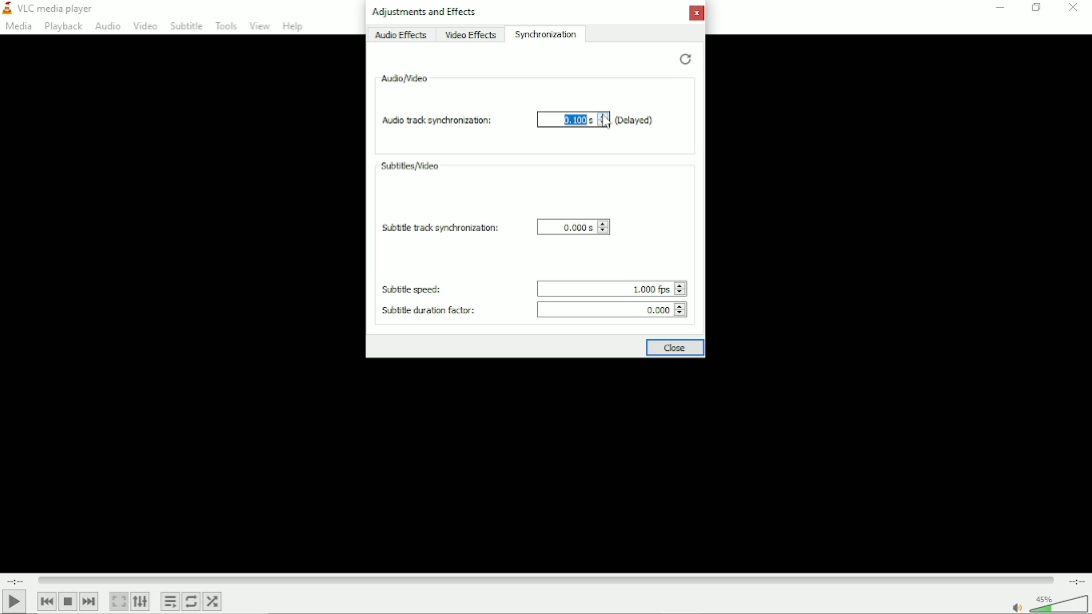 The width and height of the screenshot is (1092, 614). What do you see at coordinates (16, 579) in the screenshot?
I see `Elapsed time` at bounding box center [16, 579].